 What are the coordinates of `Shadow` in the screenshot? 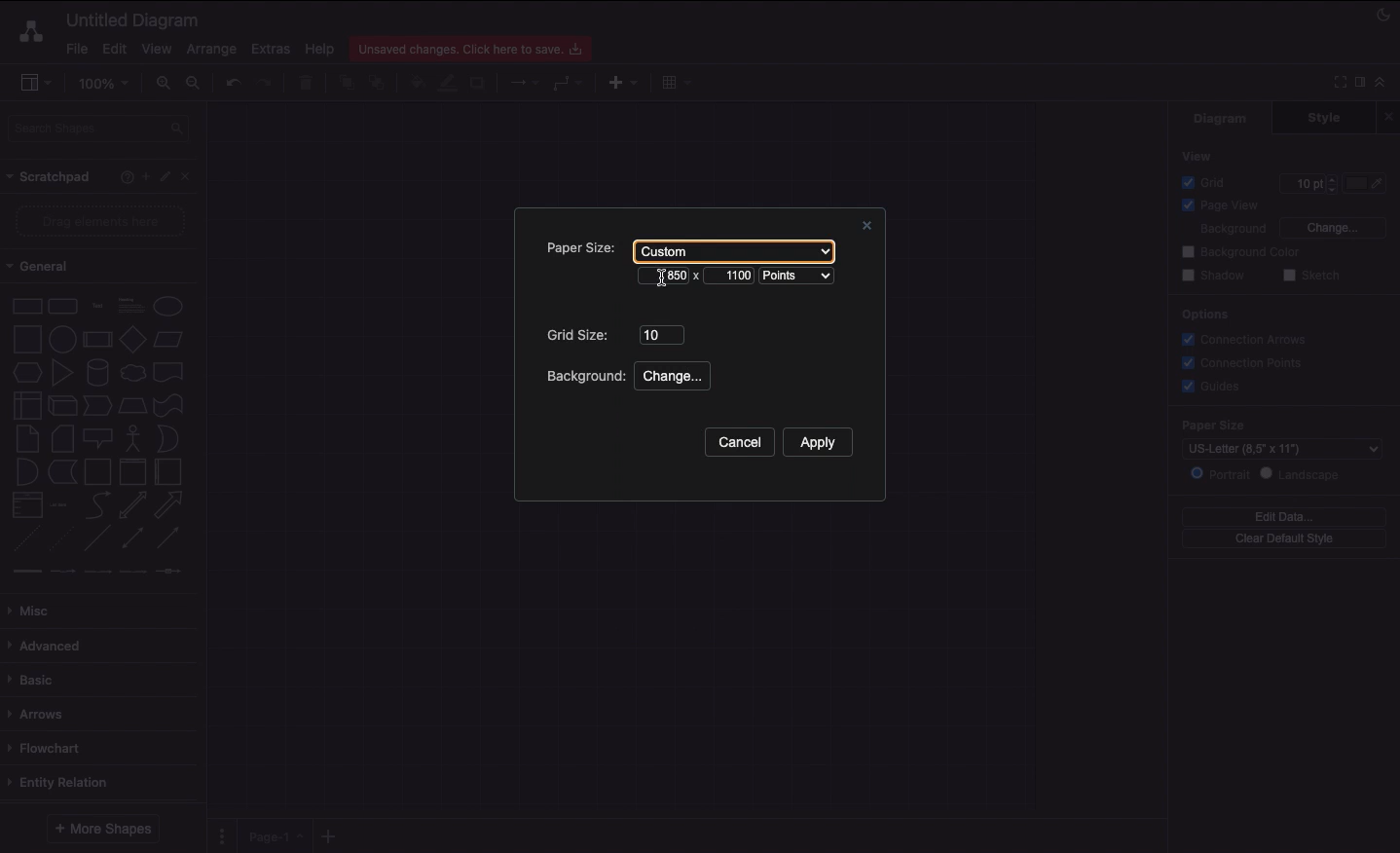 It's located at (479, 82).